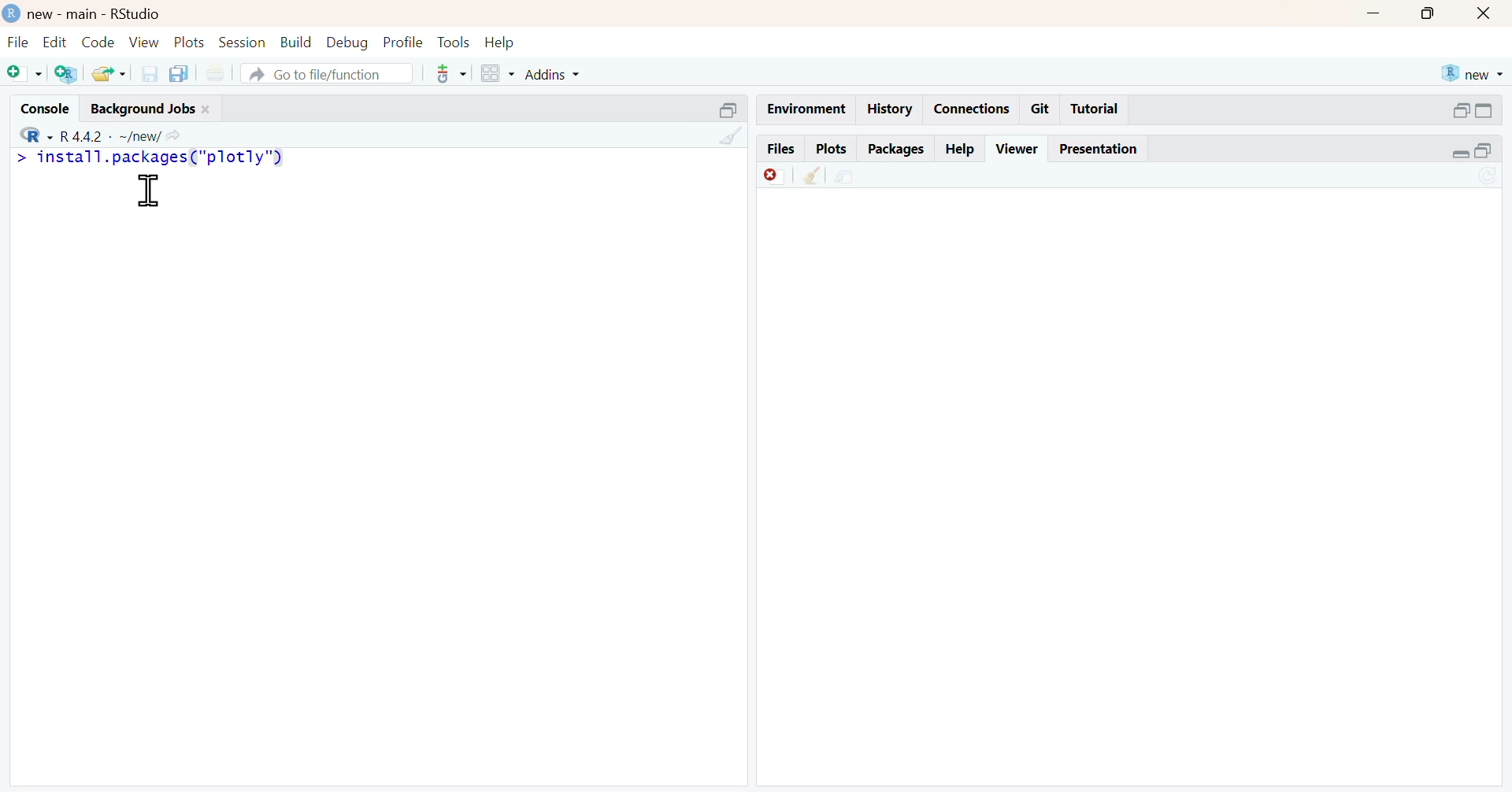  Describe the element at coordinates (495, 73) in the screenshot. I see `workspace panes` at that location.